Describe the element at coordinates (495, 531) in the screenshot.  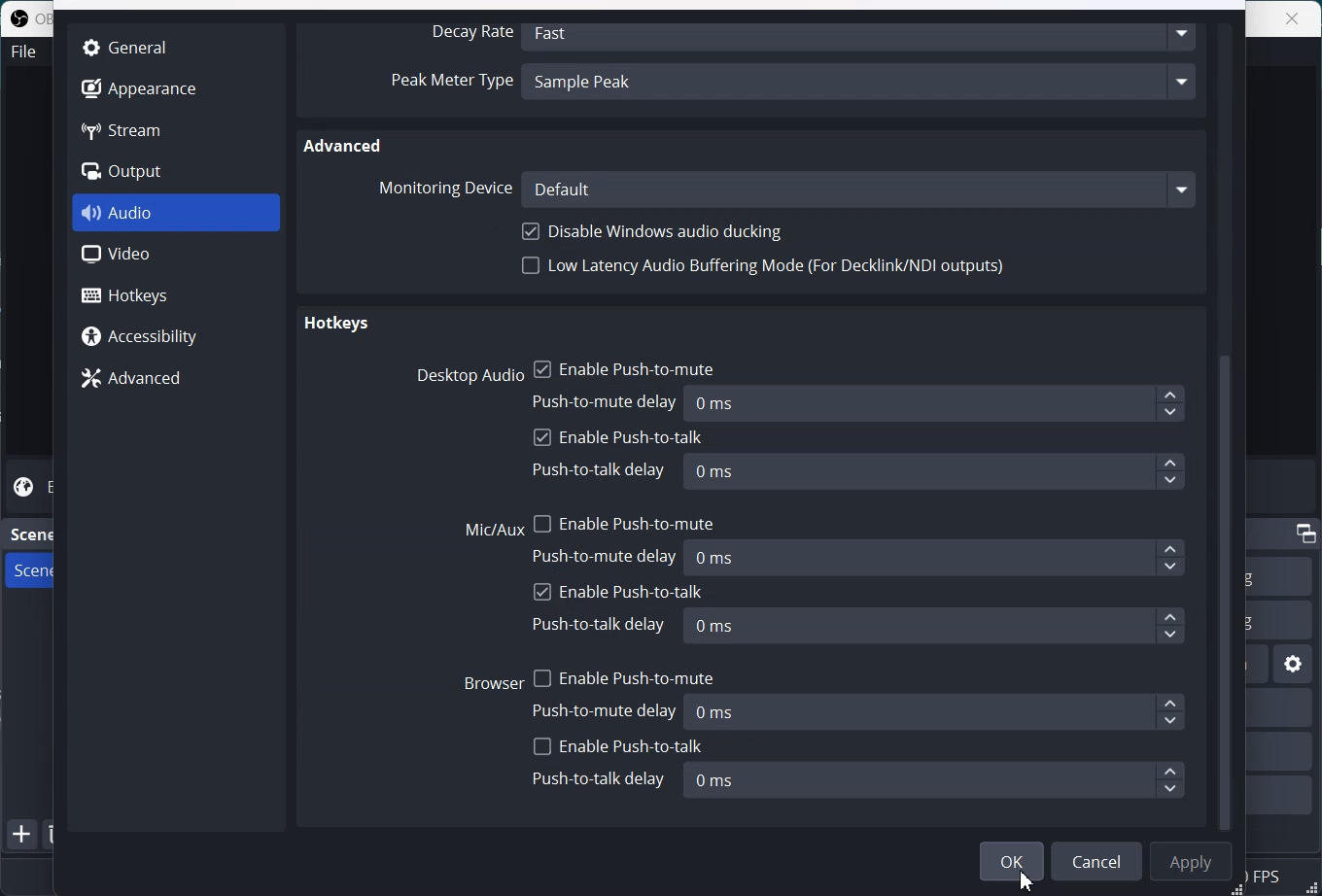
I see `Mic/Aux` at that location.